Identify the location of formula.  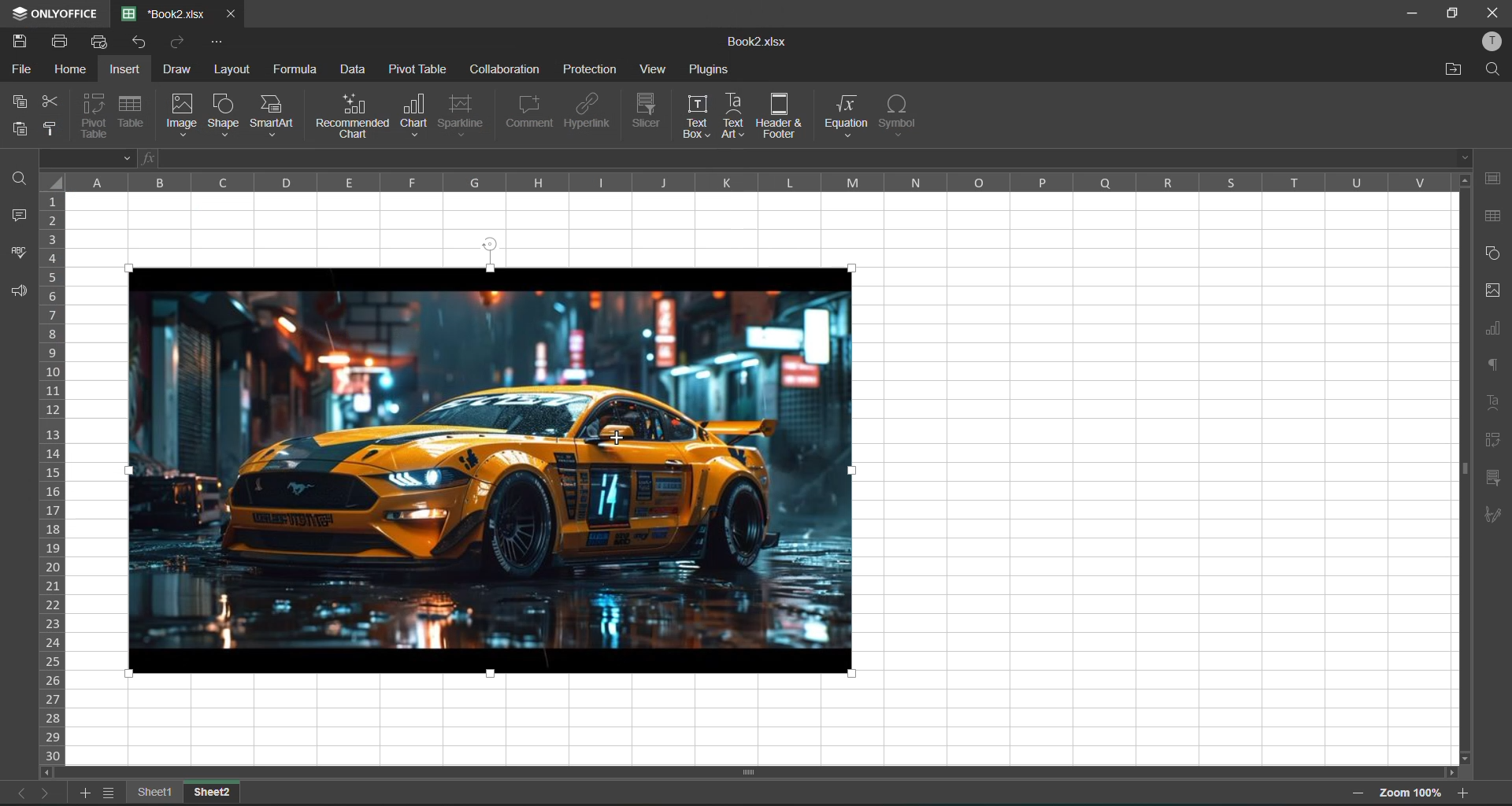
(302, 72).